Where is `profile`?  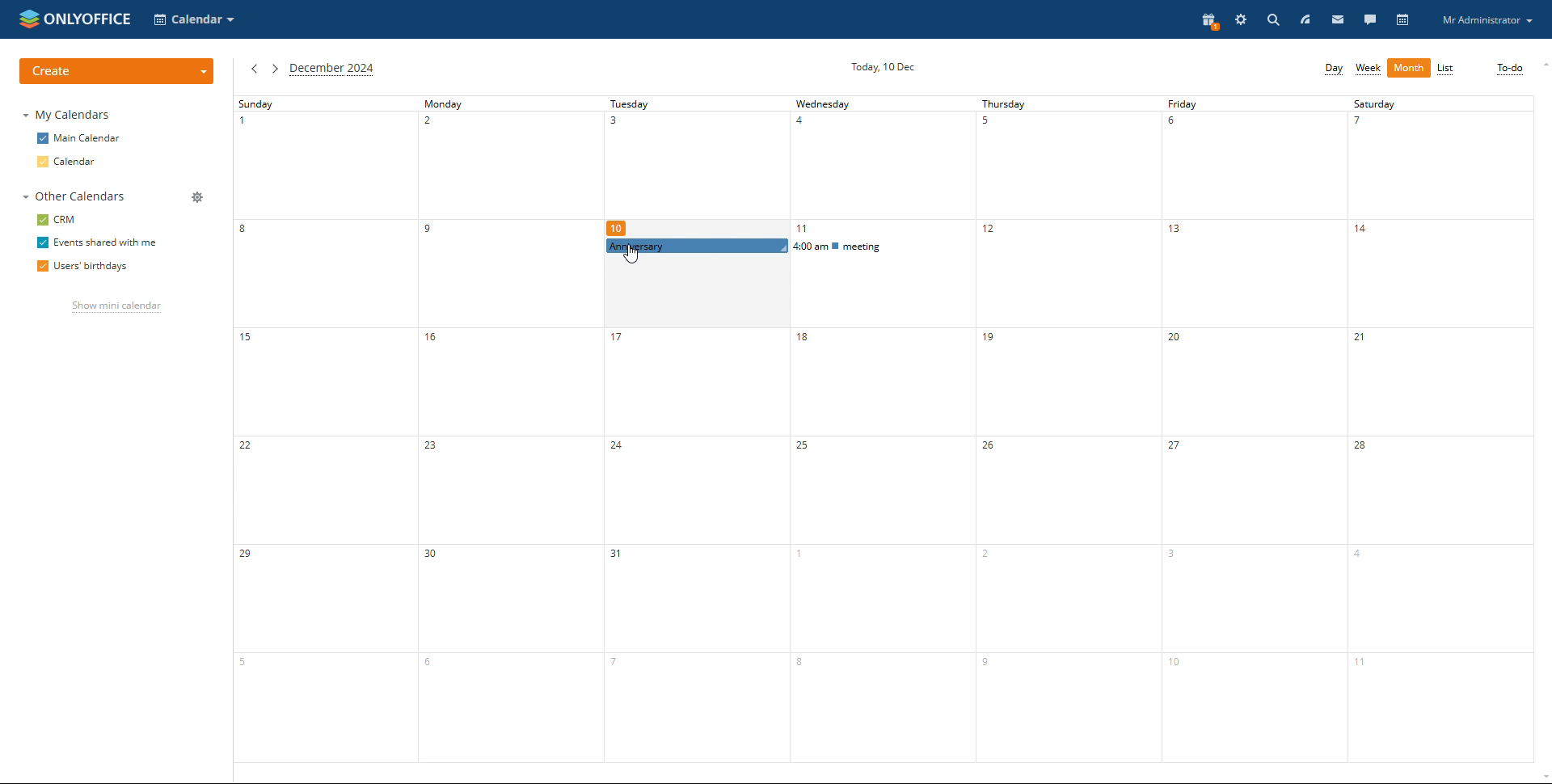
profile is located at coordinates (1487, 19).